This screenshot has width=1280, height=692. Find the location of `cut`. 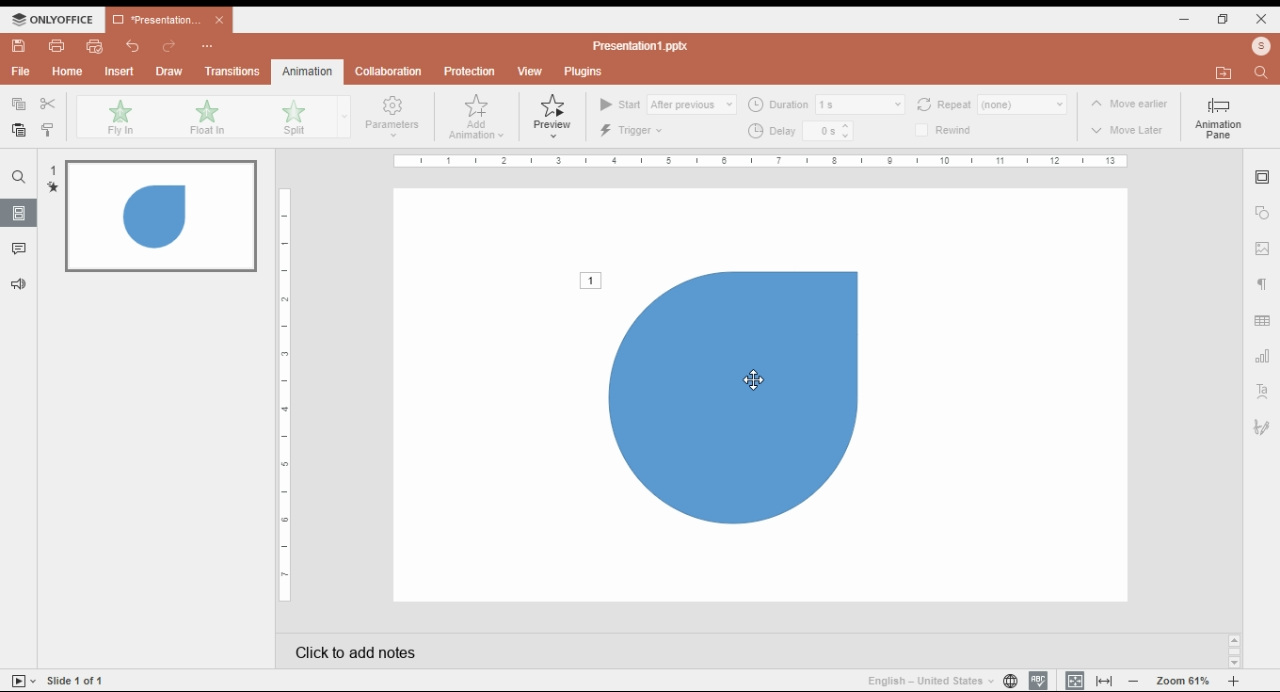

cut is located at coordinates (50, 104).